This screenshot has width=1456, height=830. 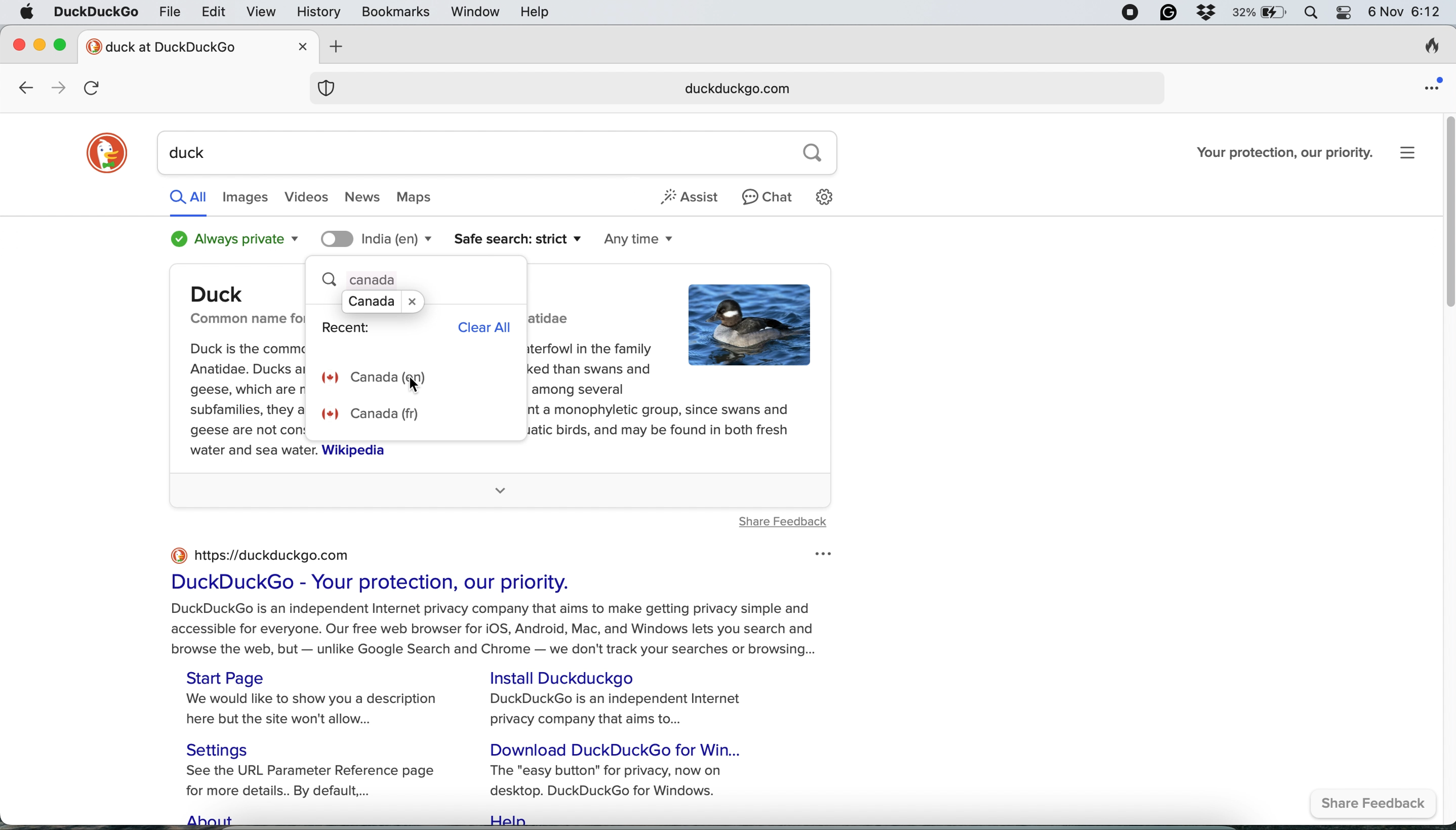 What do you see at coordinates (274, 555) in the screenshot?
I see `https://duckduckgo.com` at bounding box center [274, 555].